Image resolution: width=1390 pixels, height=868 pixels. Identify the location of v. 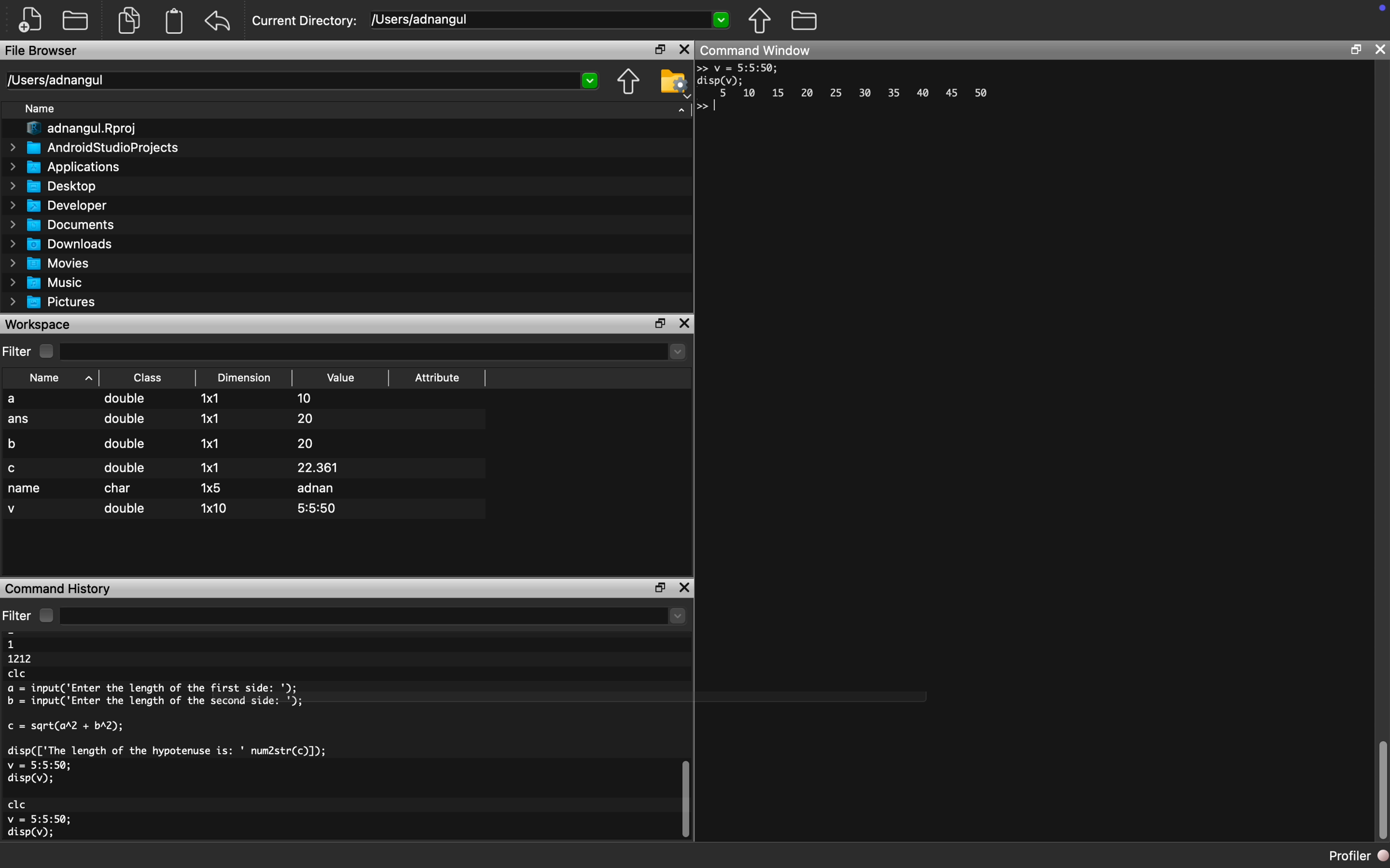
(14, 510).